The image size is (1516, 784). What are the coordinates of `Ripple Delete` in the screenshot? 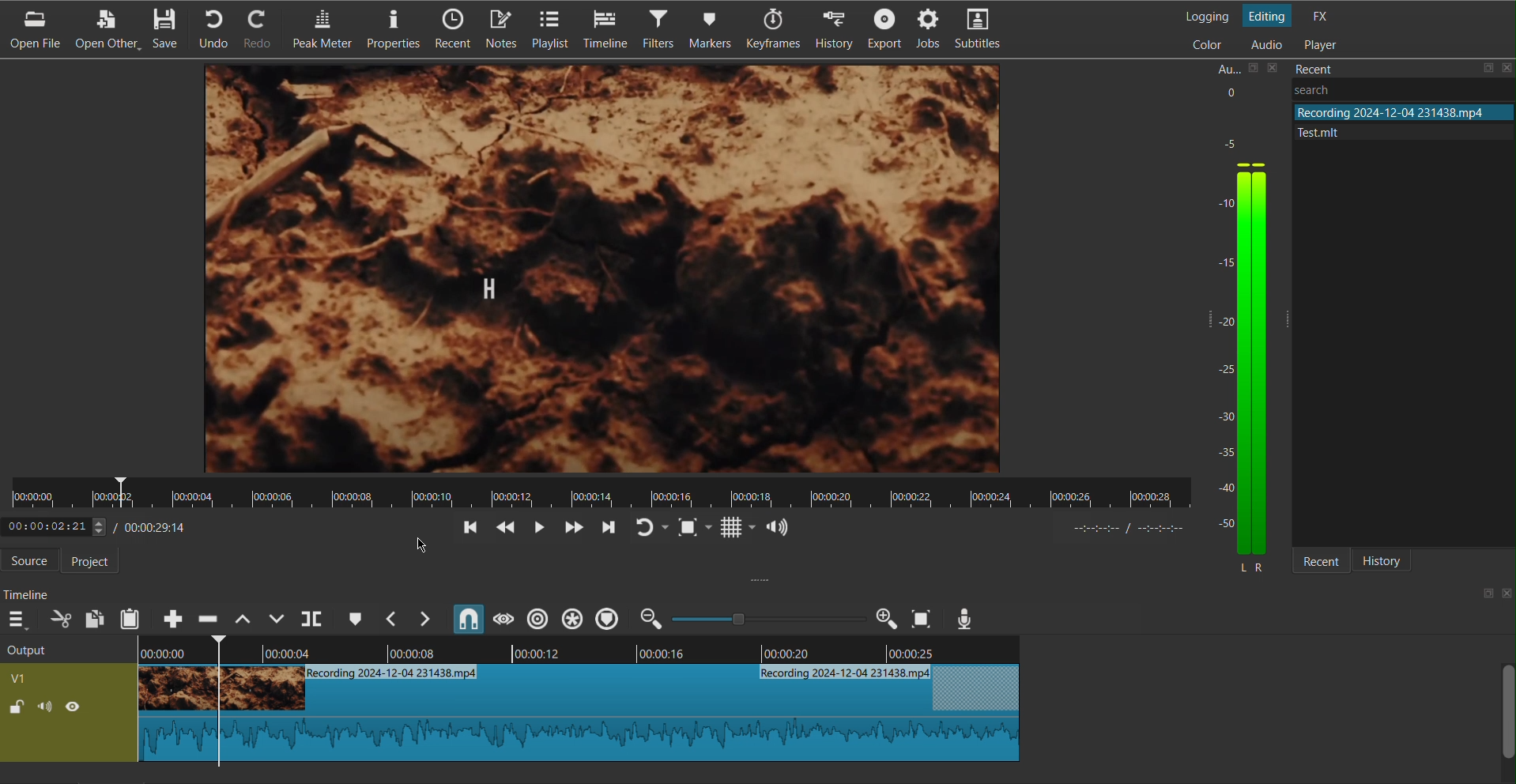 It's located at (208, 615).